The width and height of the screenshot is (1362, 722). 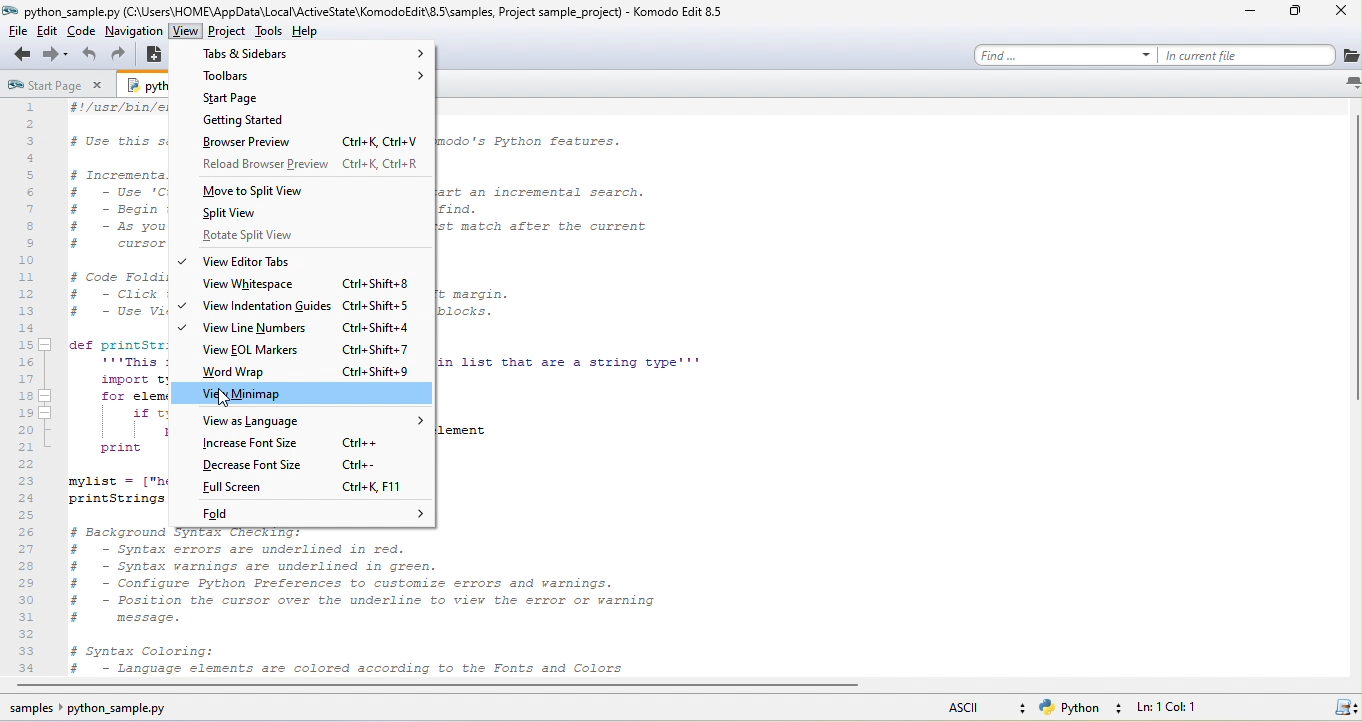 I want to click on numbers, so click(x=27, y=389).